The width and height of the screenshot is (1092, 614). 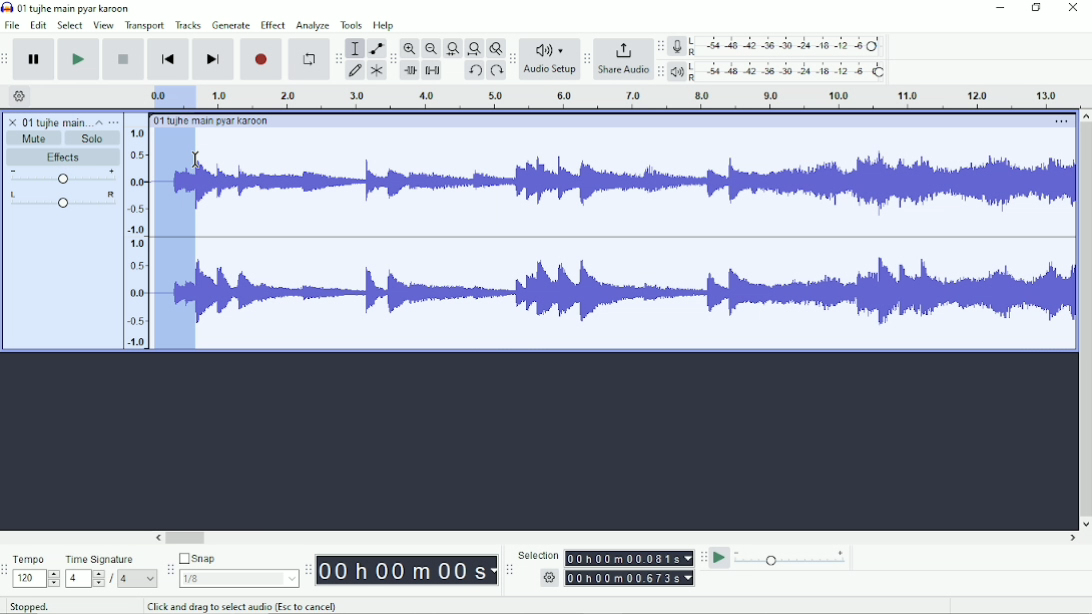 What do you see at coordinates (113, 579) in the screenshot?
I see `/` at bounding box center [113, 579].